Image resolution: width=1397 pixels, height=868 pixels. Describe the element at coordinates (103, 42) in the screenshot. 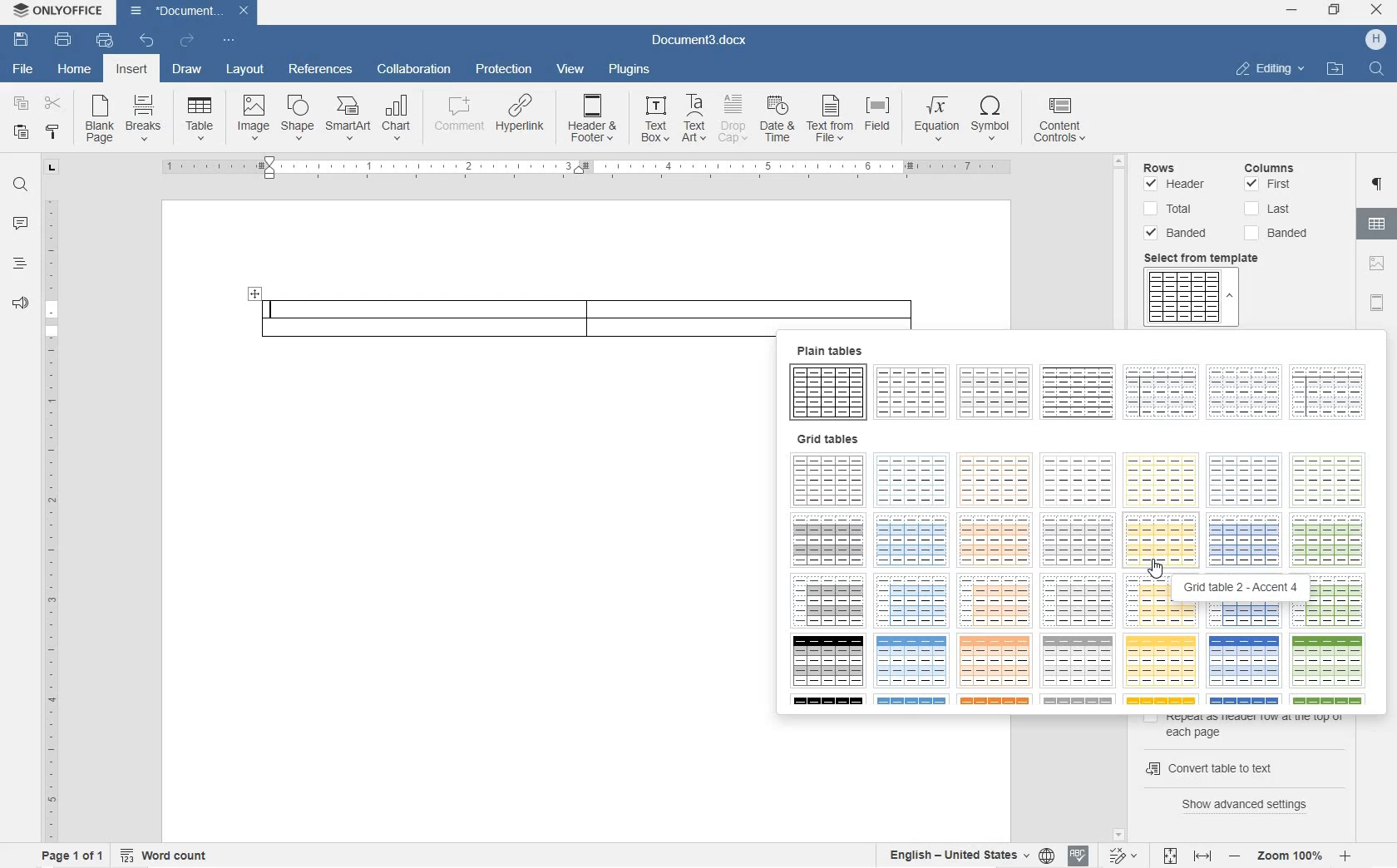

I see `QUICK PRINT` at that location.